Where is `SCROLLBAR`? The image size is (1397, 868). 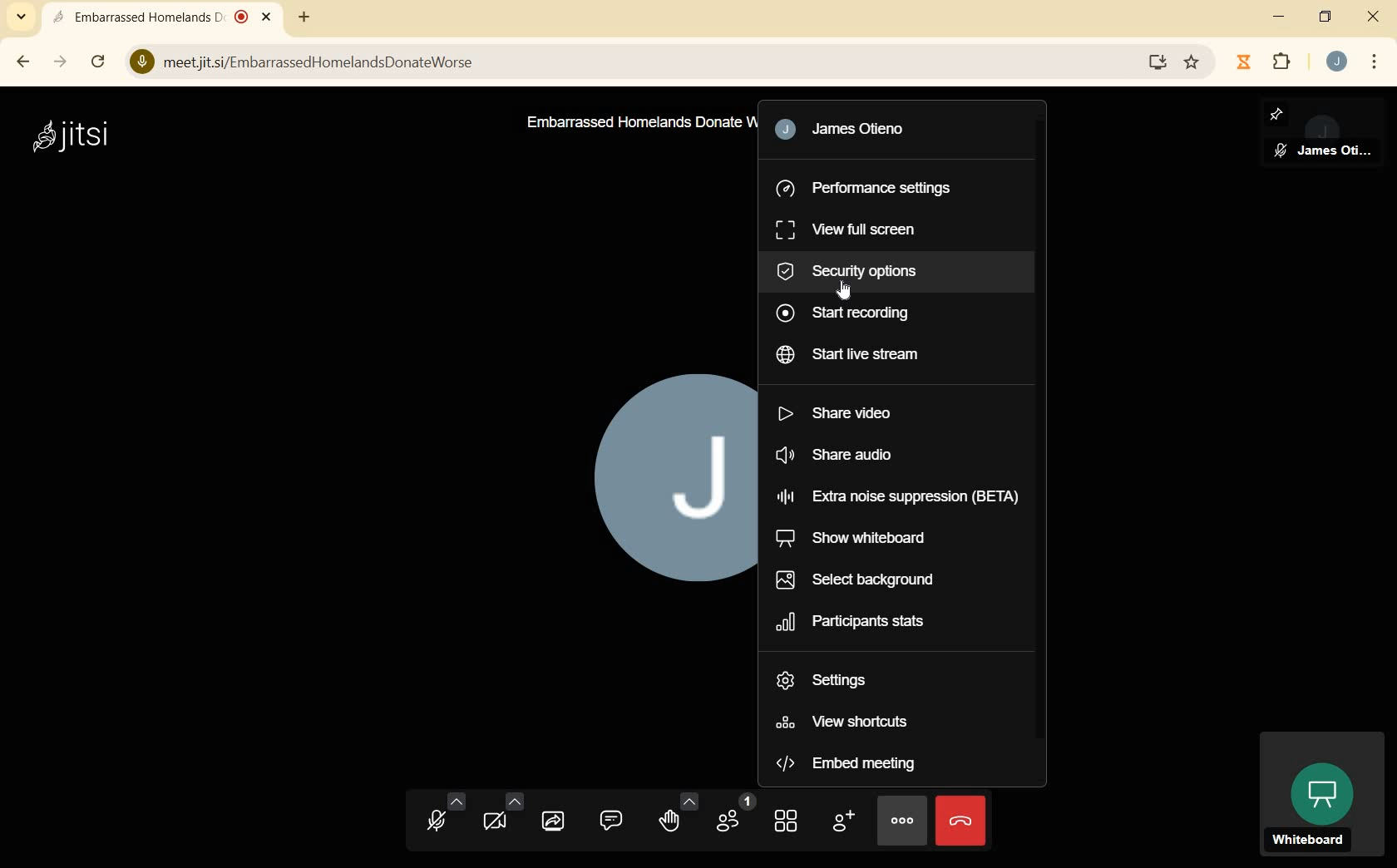
SCROLLBAR is located at coordinates (1043, 440).